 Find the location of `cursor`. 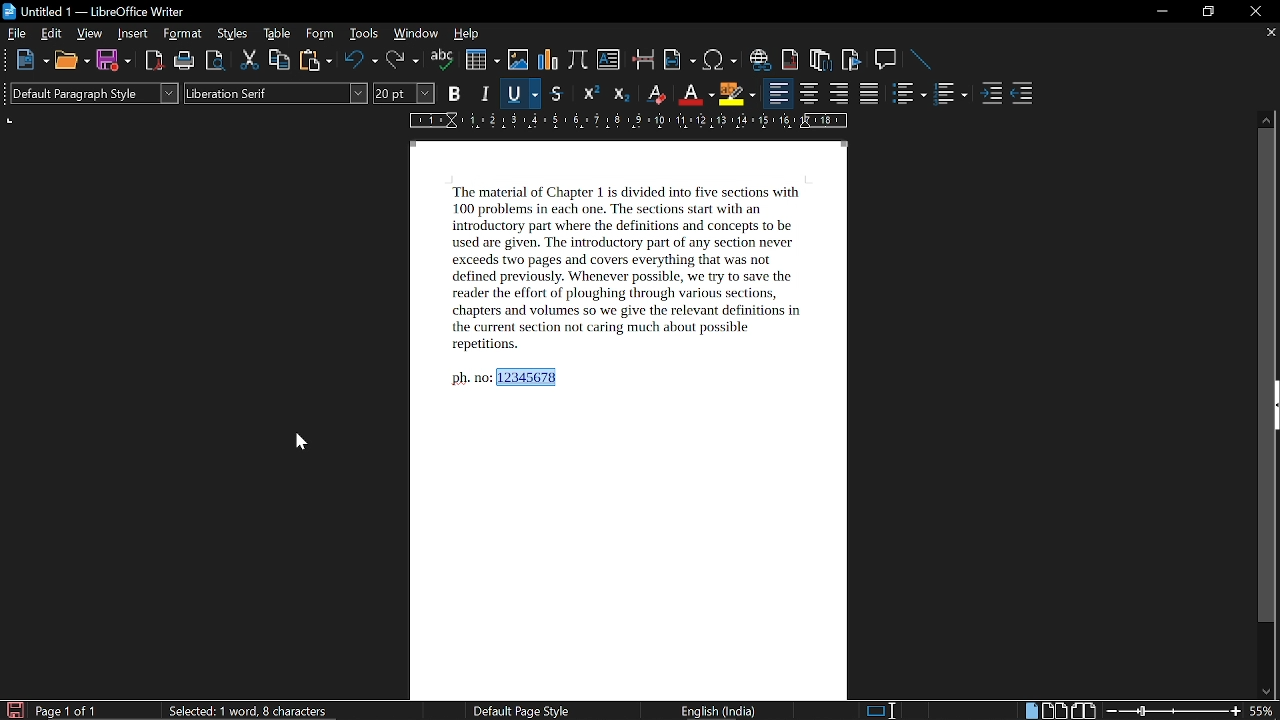

cursor is located at coordinates (298, 441).